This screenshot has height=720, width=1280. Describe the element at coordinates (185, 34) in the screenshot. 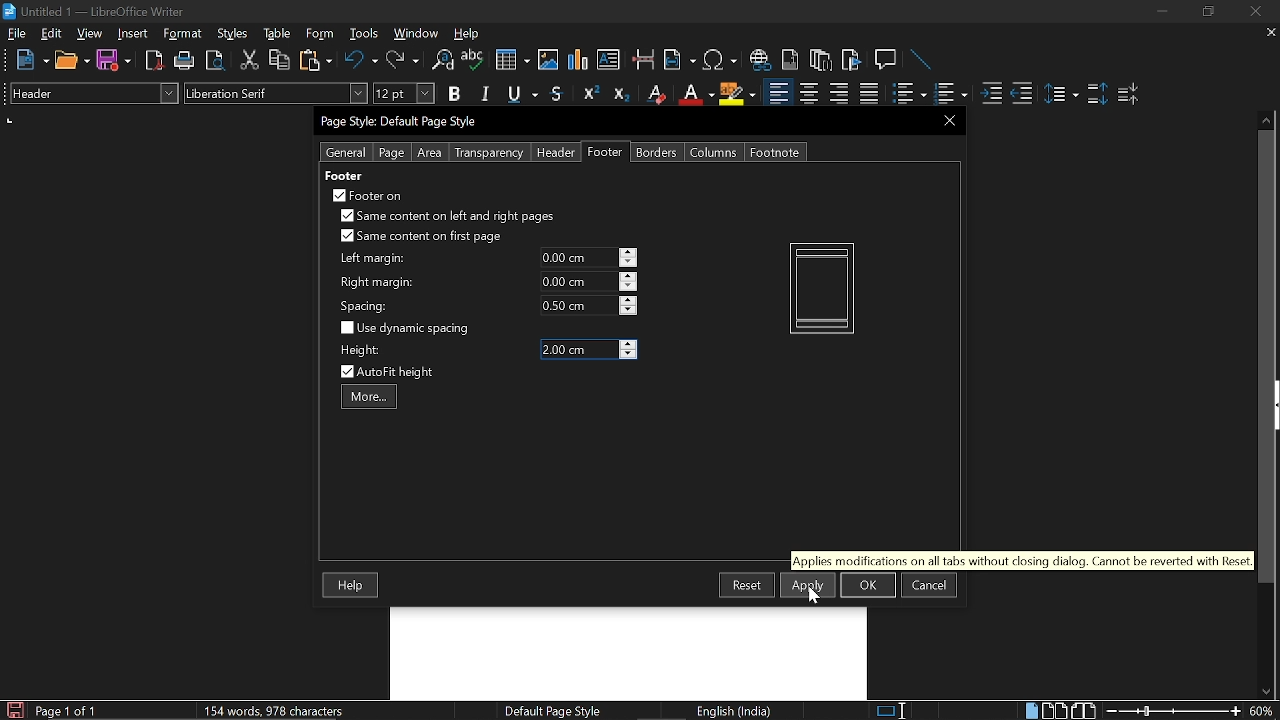

I see `Format` at that location.